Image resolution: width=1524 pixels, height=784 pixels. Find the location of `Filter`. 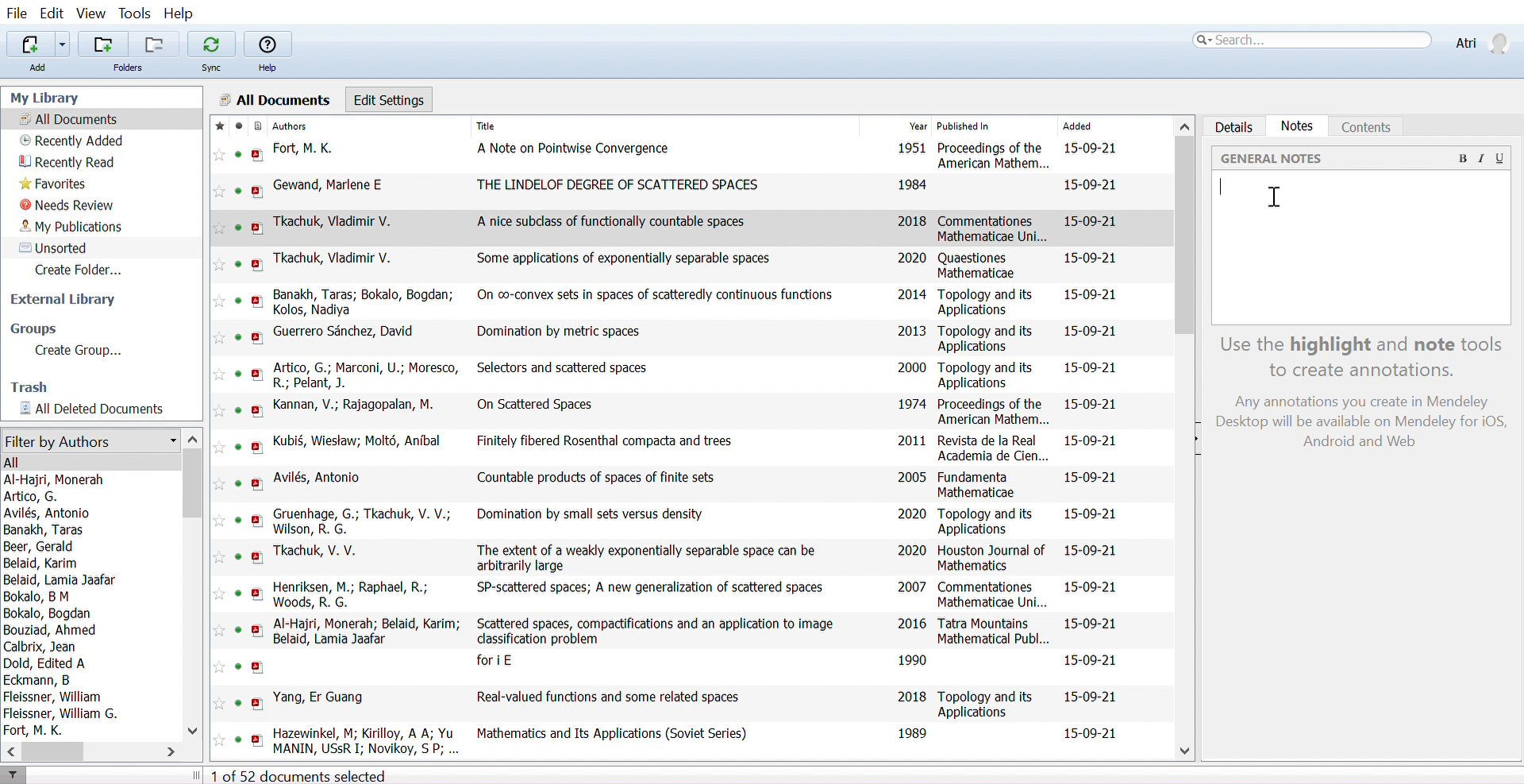

Filter is located at coordinates (14, 775).